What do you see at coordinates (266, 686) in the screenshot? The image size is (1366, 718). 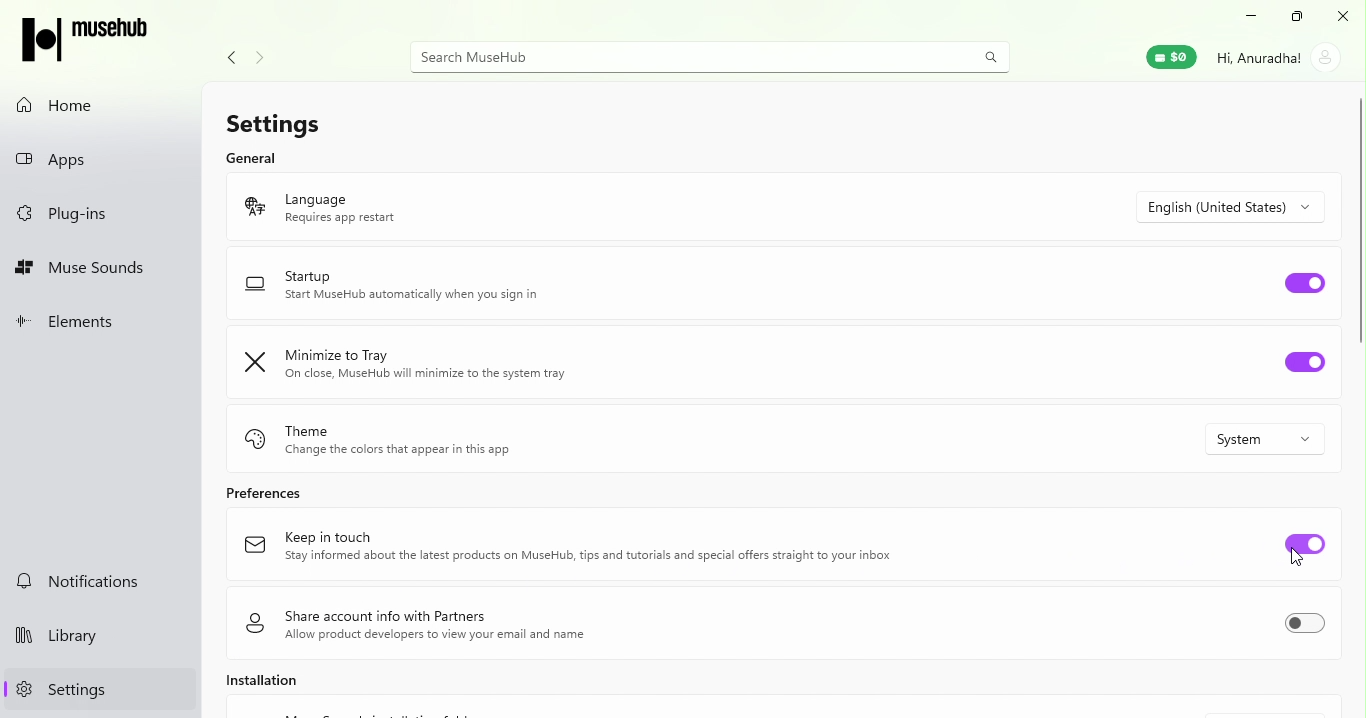 I see `Installation` at bounding box center [266, 686].